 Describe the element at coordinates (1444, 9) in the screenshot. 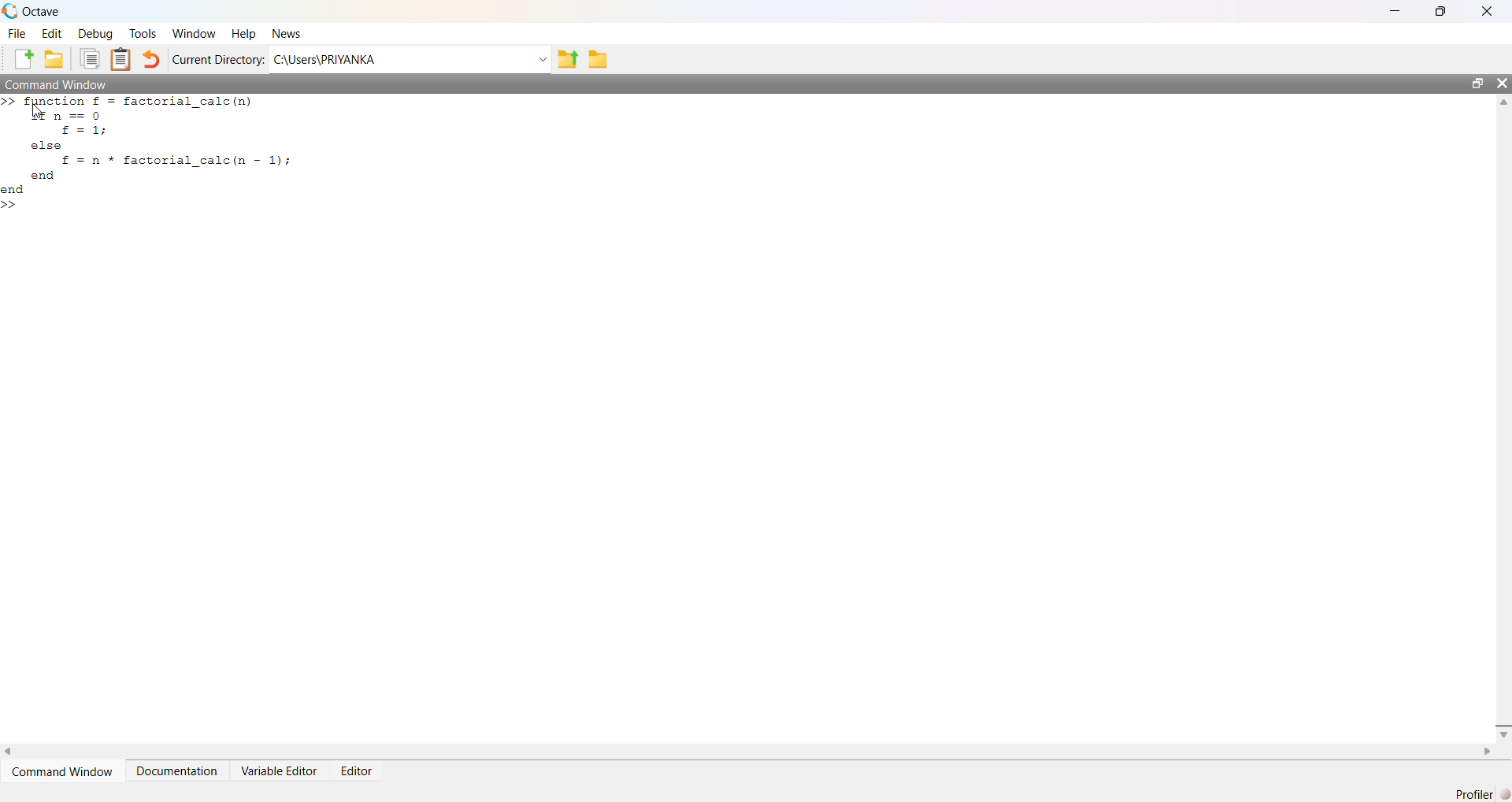

I see `maximise` at that location.